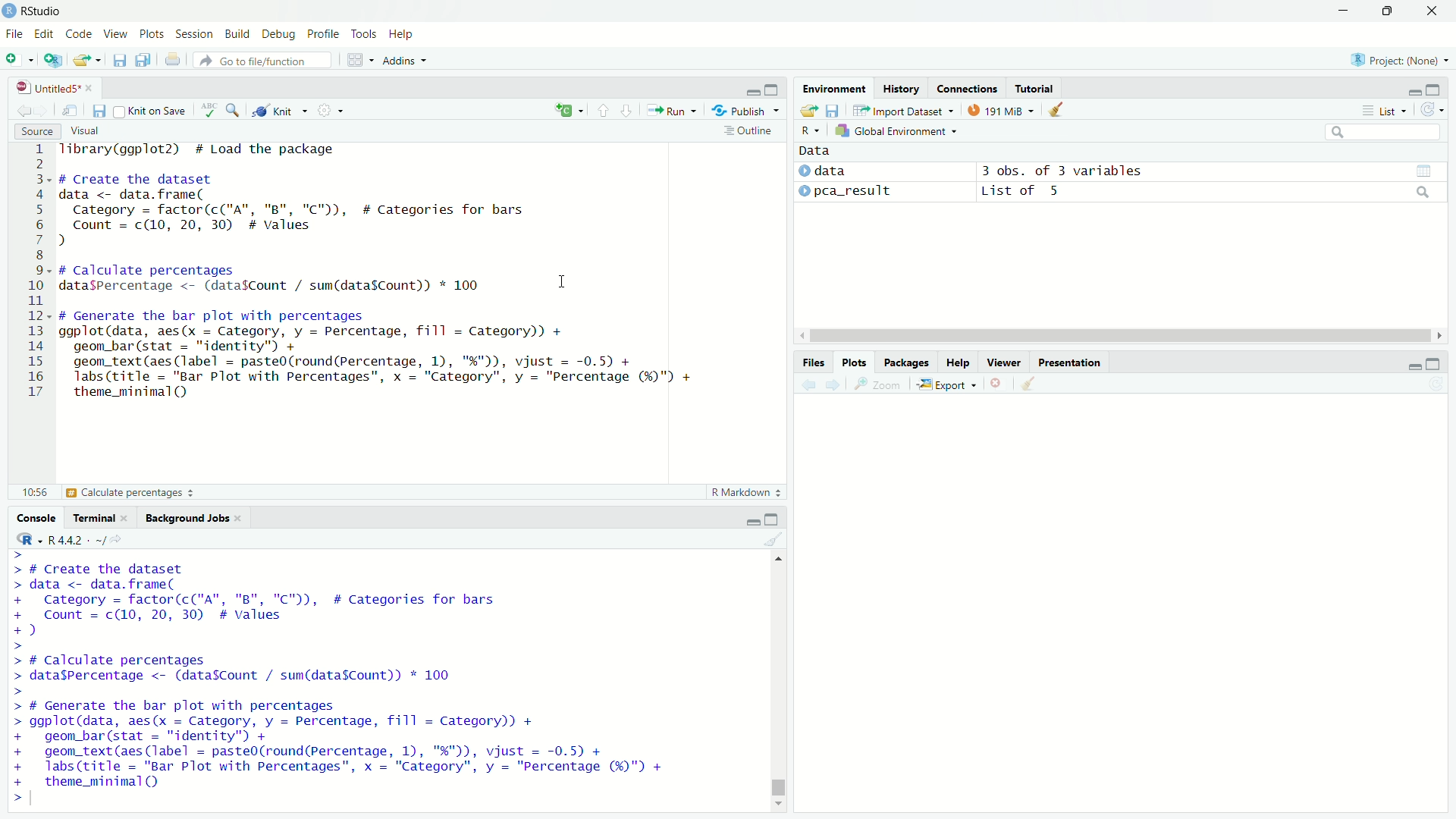 This screenshot has width=1456, height=819. Describe the element at coordinates (906, 111) in the screenshot. I see `import dataset` at that location.